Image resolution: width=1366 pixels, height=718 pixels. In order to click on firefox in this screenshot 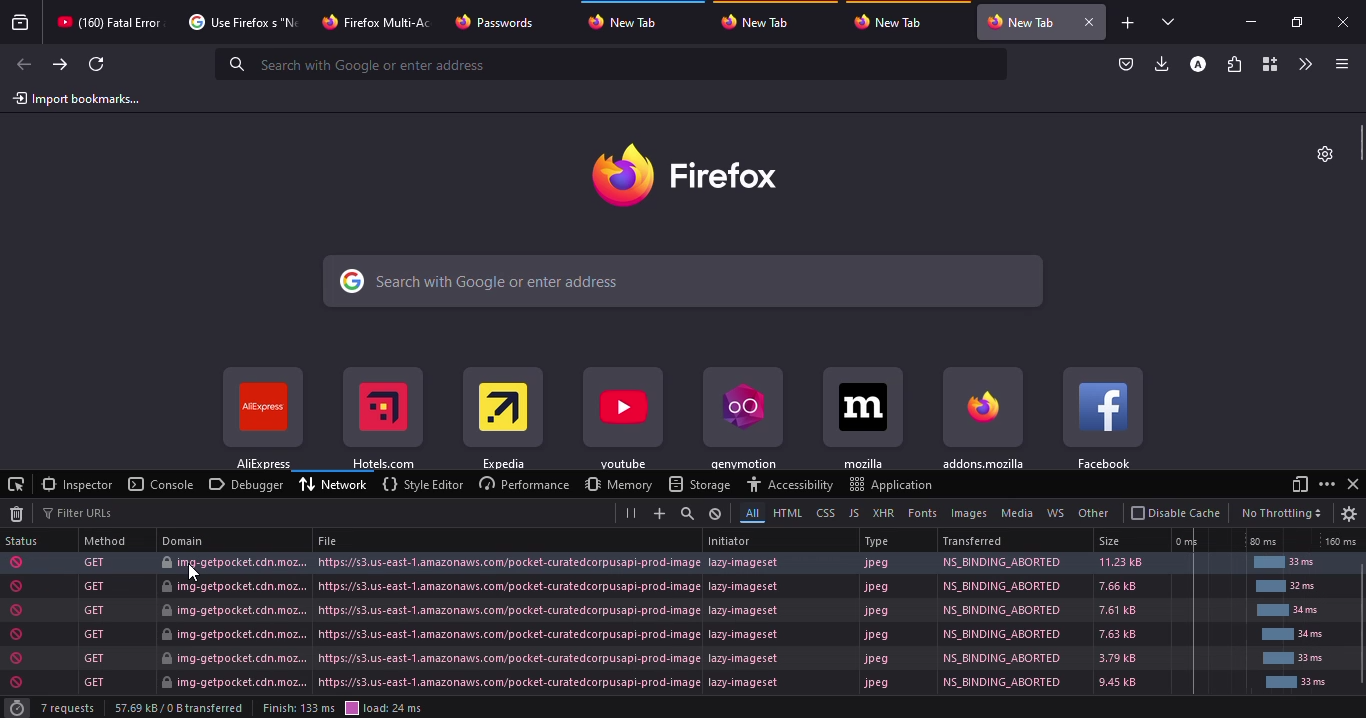, I will do `click(684, 172)`.